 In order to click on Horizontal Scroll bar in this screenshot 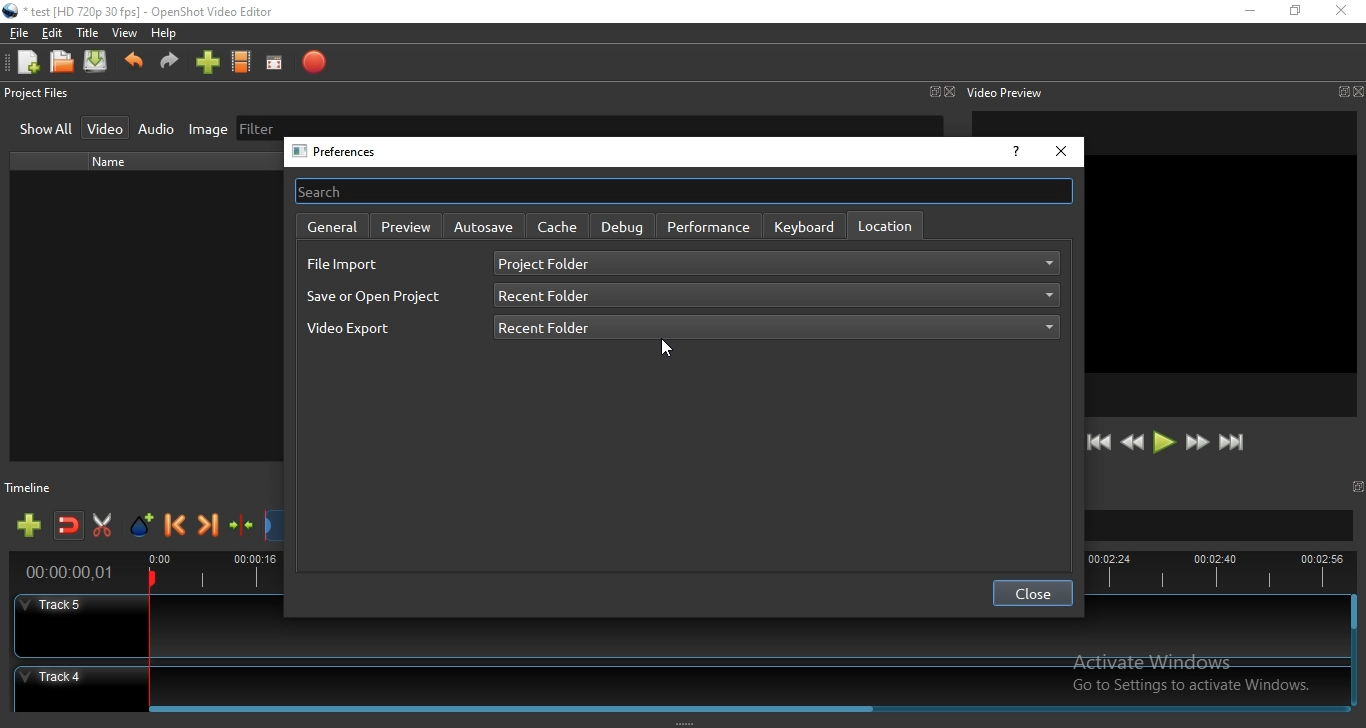, I will do `click(748, 706)`.